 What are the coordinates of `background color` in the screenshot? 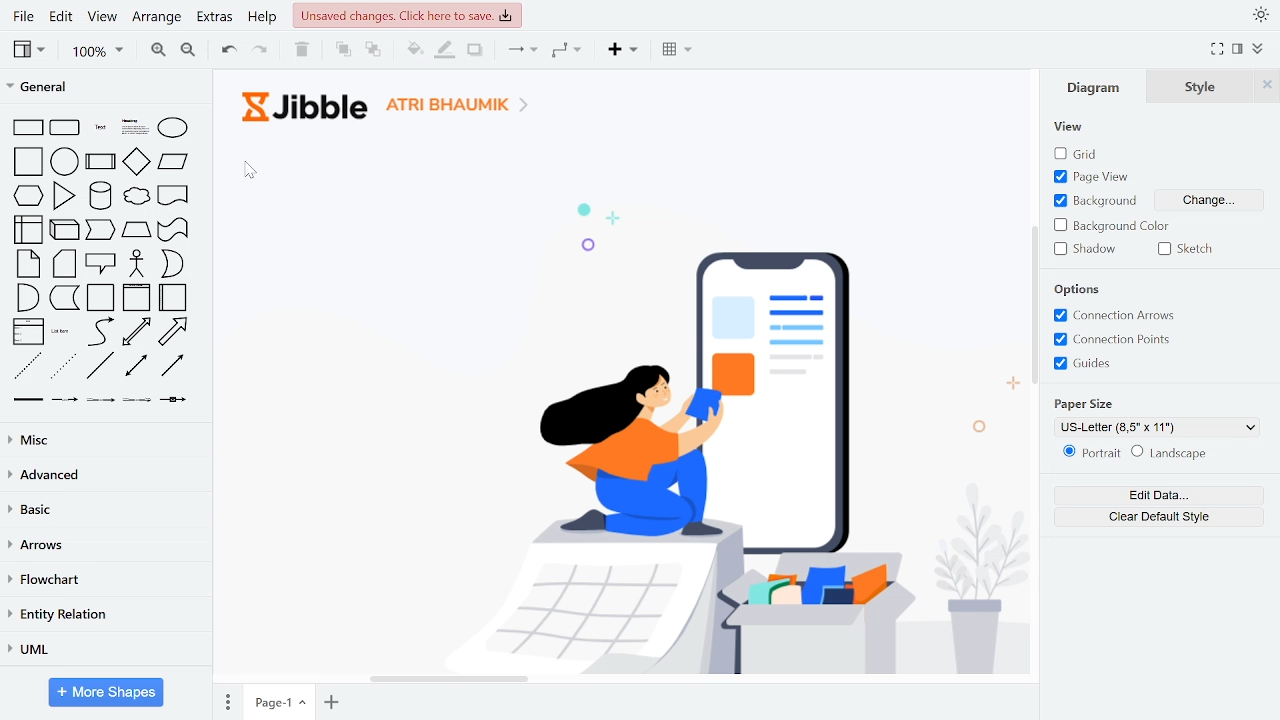 It's located at (1110, 225).